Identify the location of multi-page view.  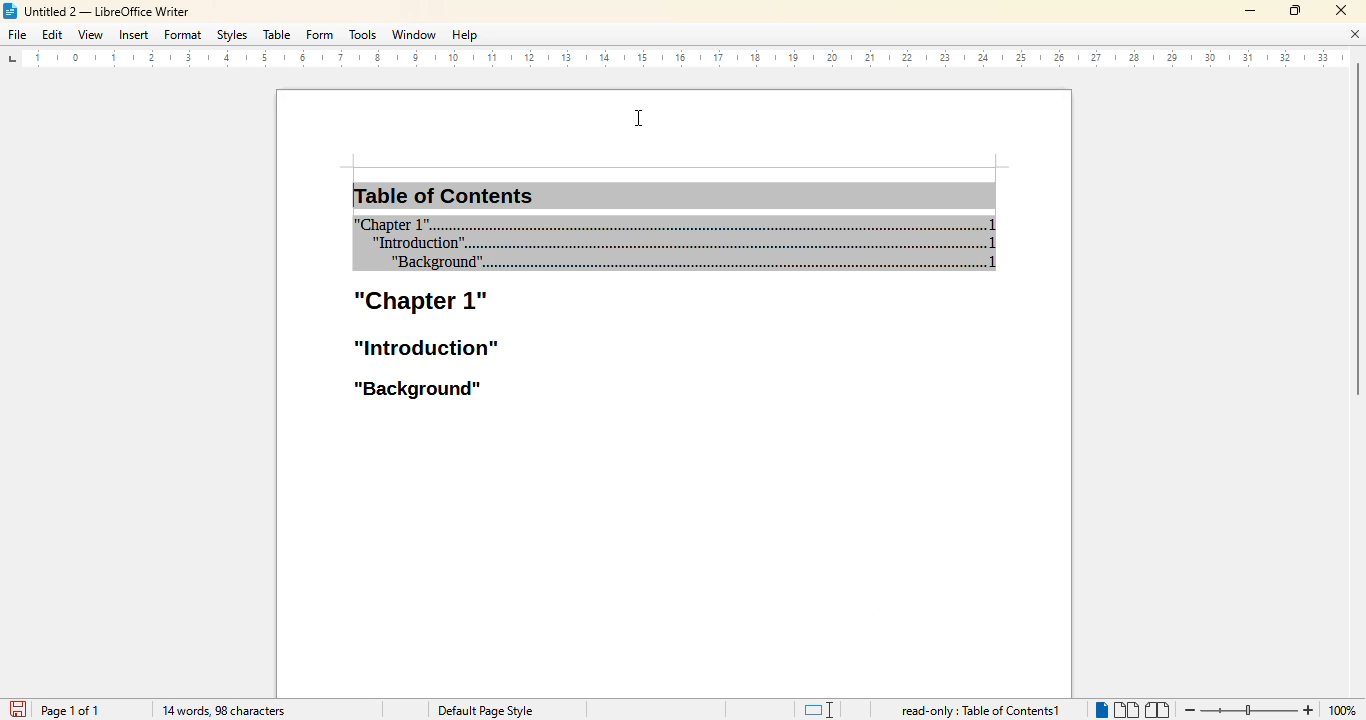
(1126, 709).